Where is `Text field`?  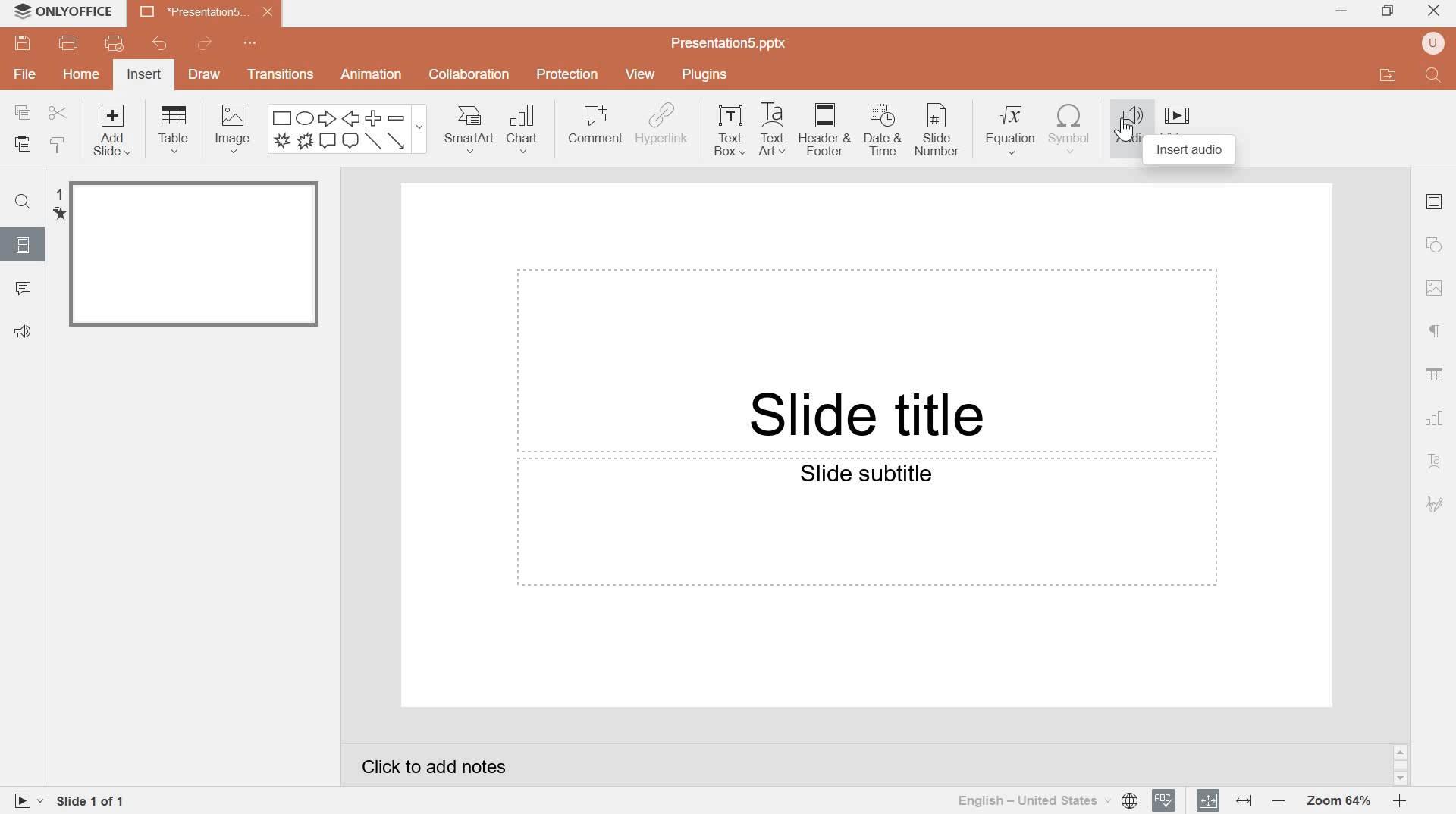 Text field is located at coordinates (865, 524).